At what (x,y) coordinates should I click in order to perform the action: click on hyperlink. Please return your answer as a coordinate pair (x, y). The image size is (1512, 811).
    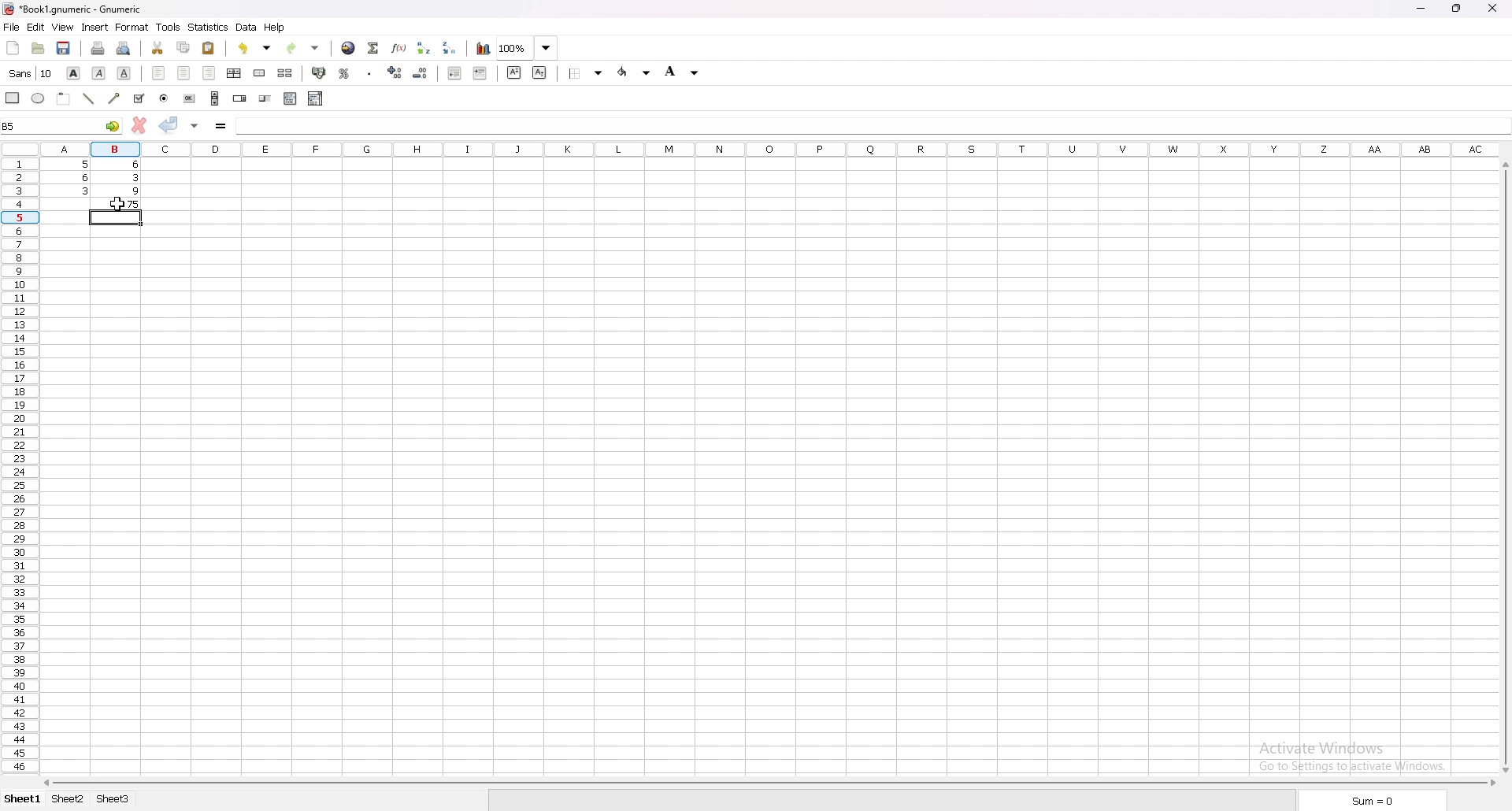
    Looking at the image, I should click on (349, 48).